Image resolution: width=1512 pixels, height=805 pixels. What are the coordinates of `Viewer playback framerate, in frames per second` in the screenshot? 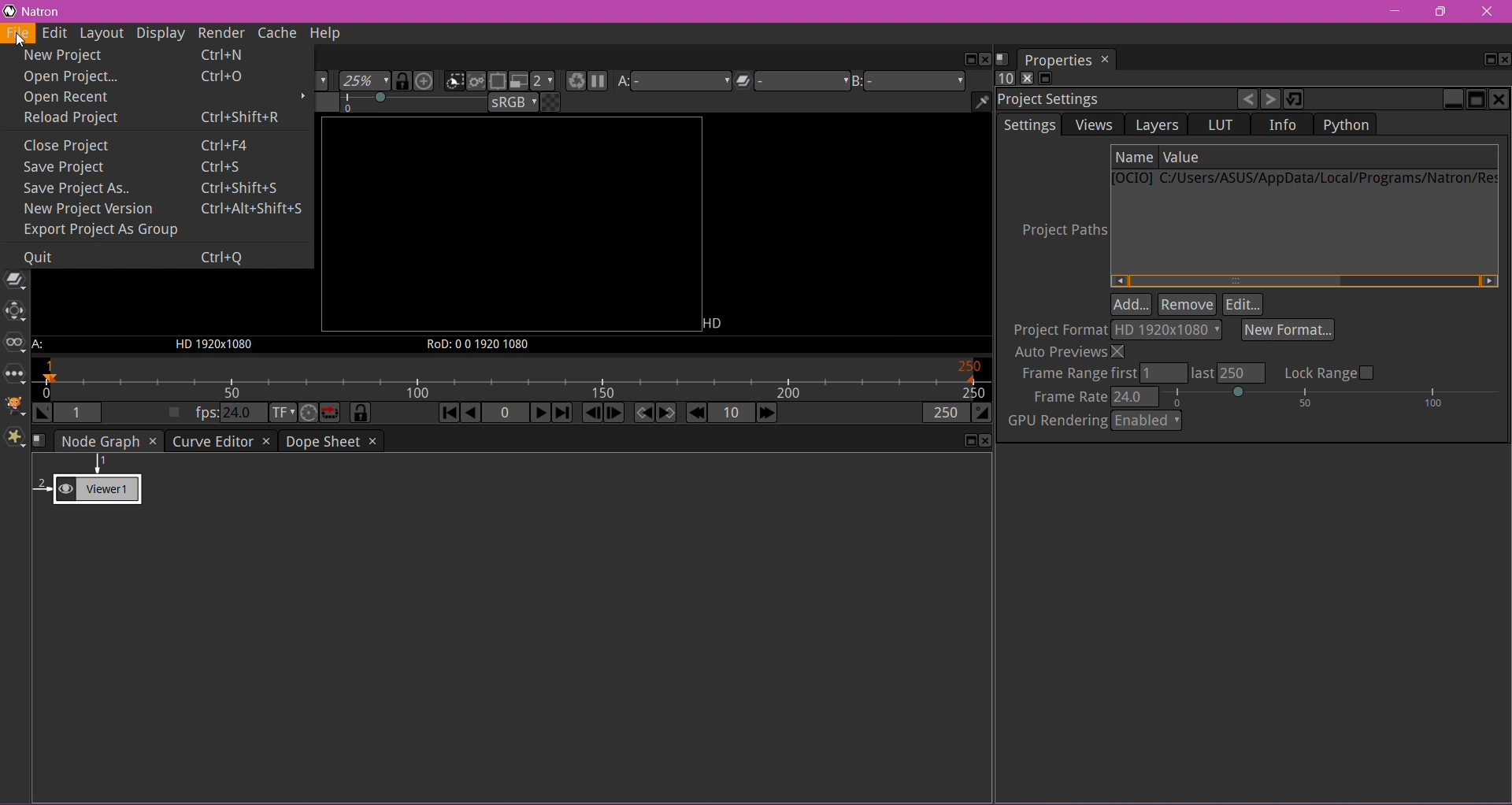 It's located at (228, 413).